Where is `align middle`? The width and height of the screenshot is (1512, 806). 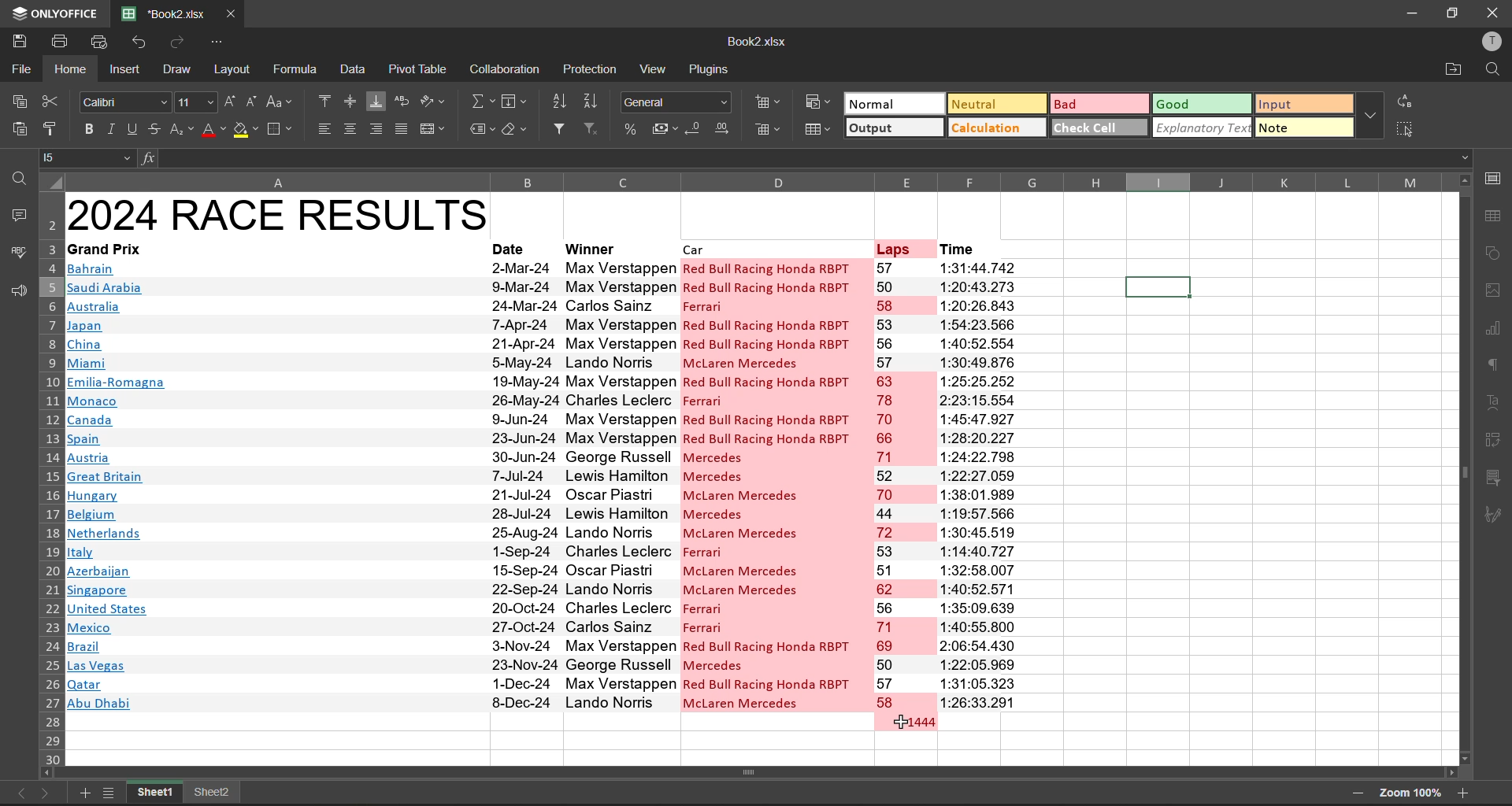 align middle is located at coordinates (349, 101).